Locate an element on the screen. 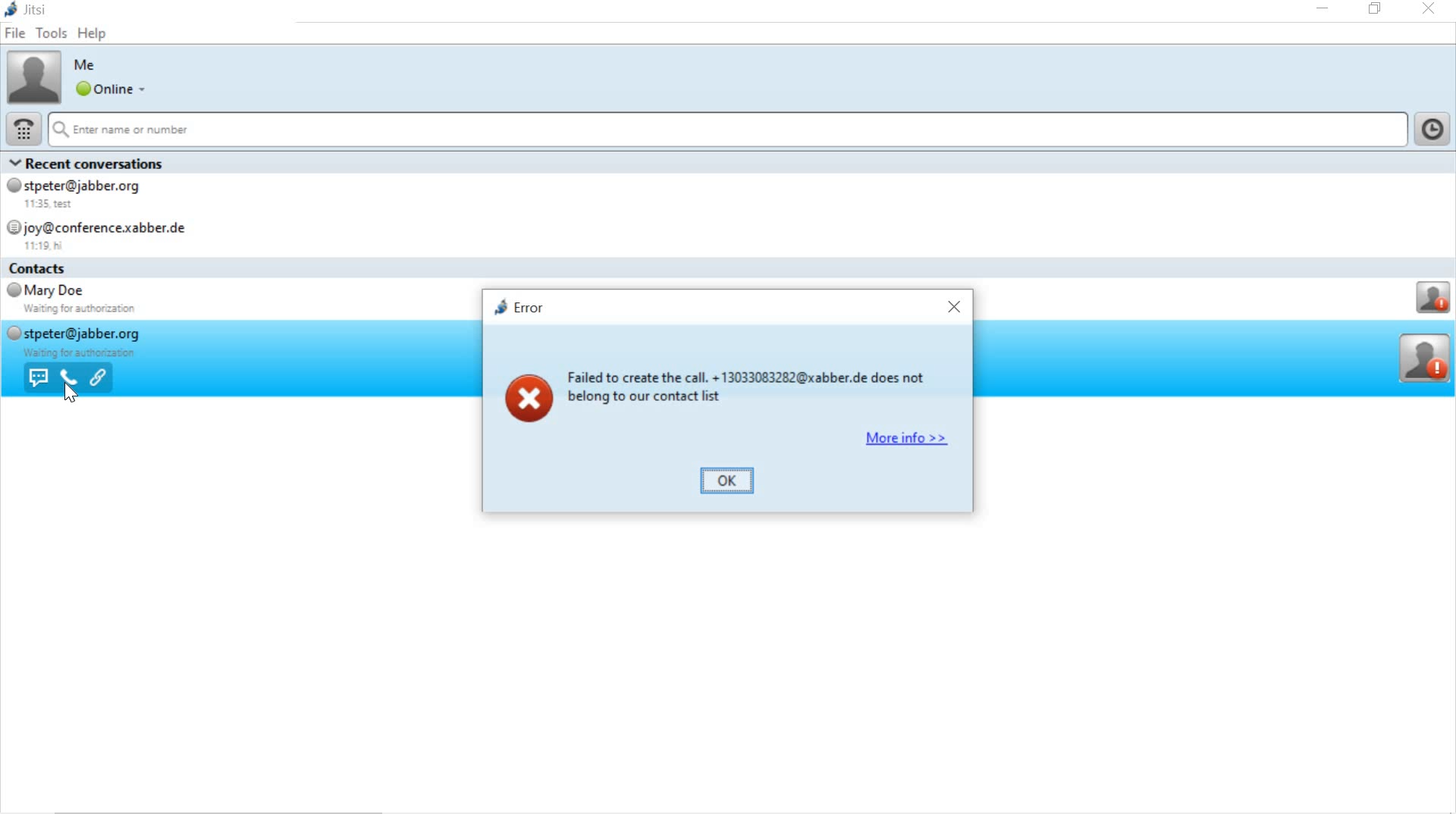 This screenshot has height=814, width=1456. contacts is located at coordinates (49, 269).